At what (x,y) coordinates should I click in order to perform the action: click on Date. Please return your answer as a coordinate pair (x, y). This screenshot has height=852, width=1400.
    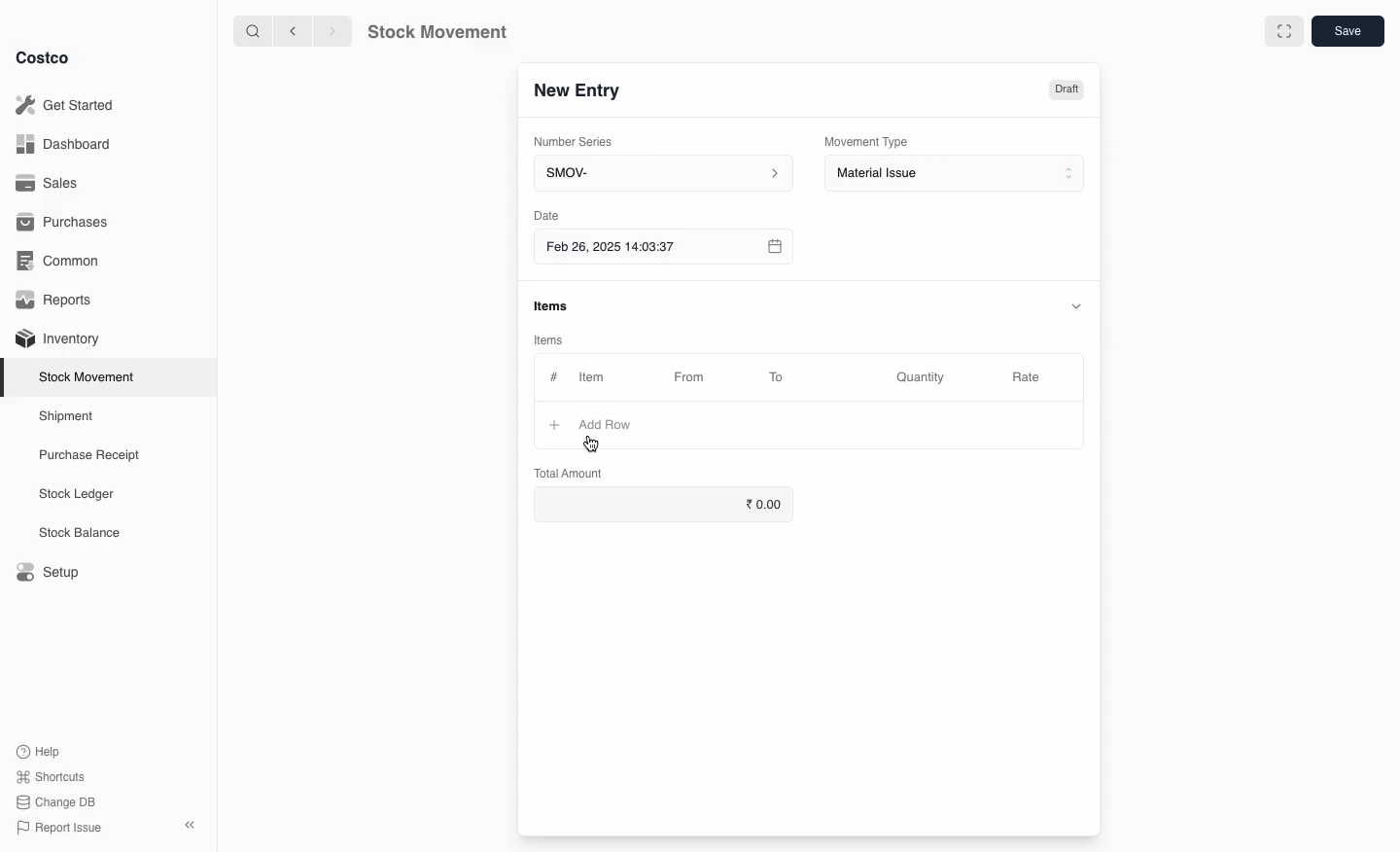
    Looking at the image, I should click on (545, 215).